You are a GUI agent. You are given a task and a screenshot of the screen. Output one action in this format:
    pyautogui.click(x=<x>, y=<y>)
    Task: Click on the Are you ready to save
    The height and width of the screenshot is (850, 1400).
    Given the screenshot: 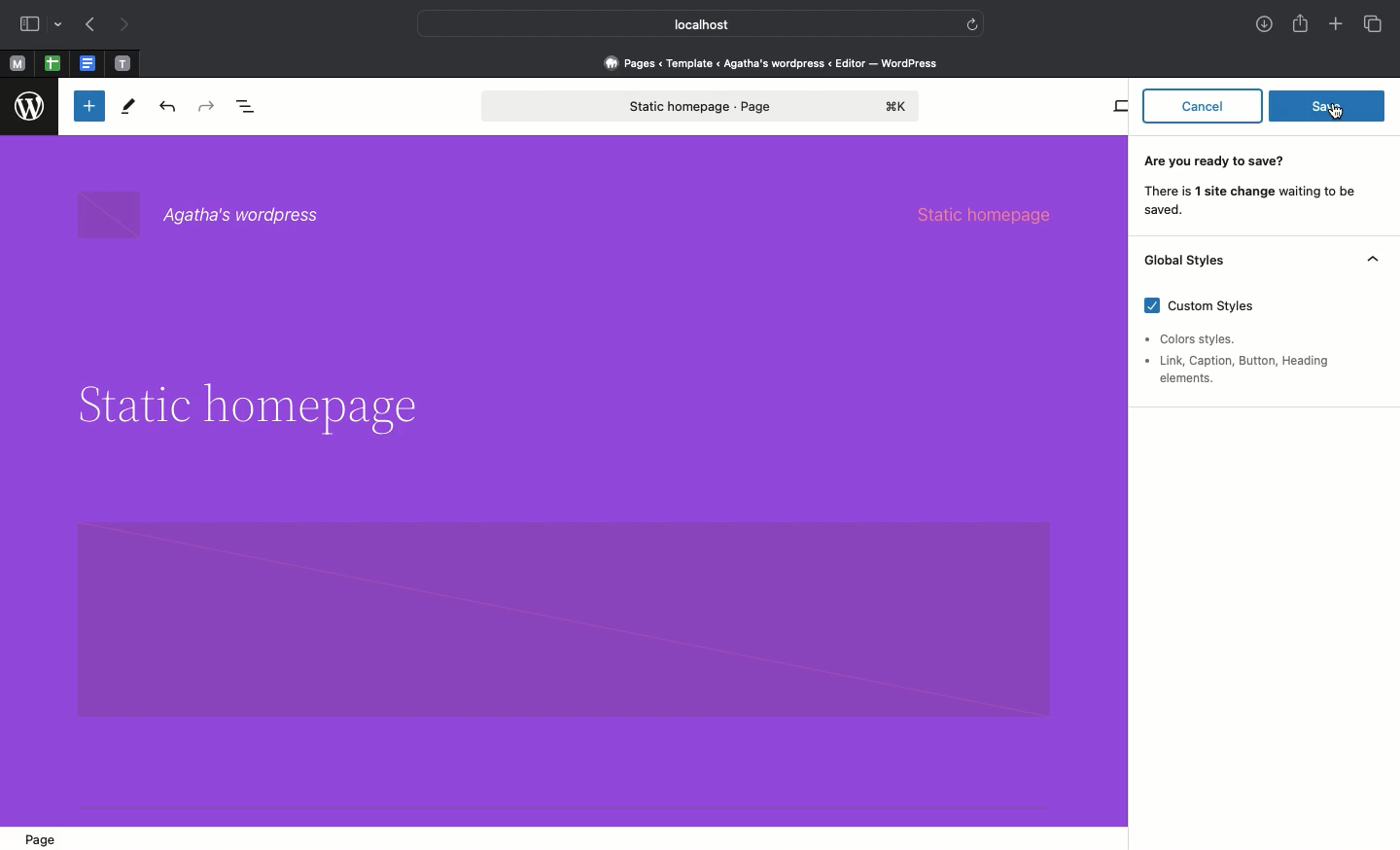 What is the action you would take?
    pyautogui.click(x=1254, y=189)
    